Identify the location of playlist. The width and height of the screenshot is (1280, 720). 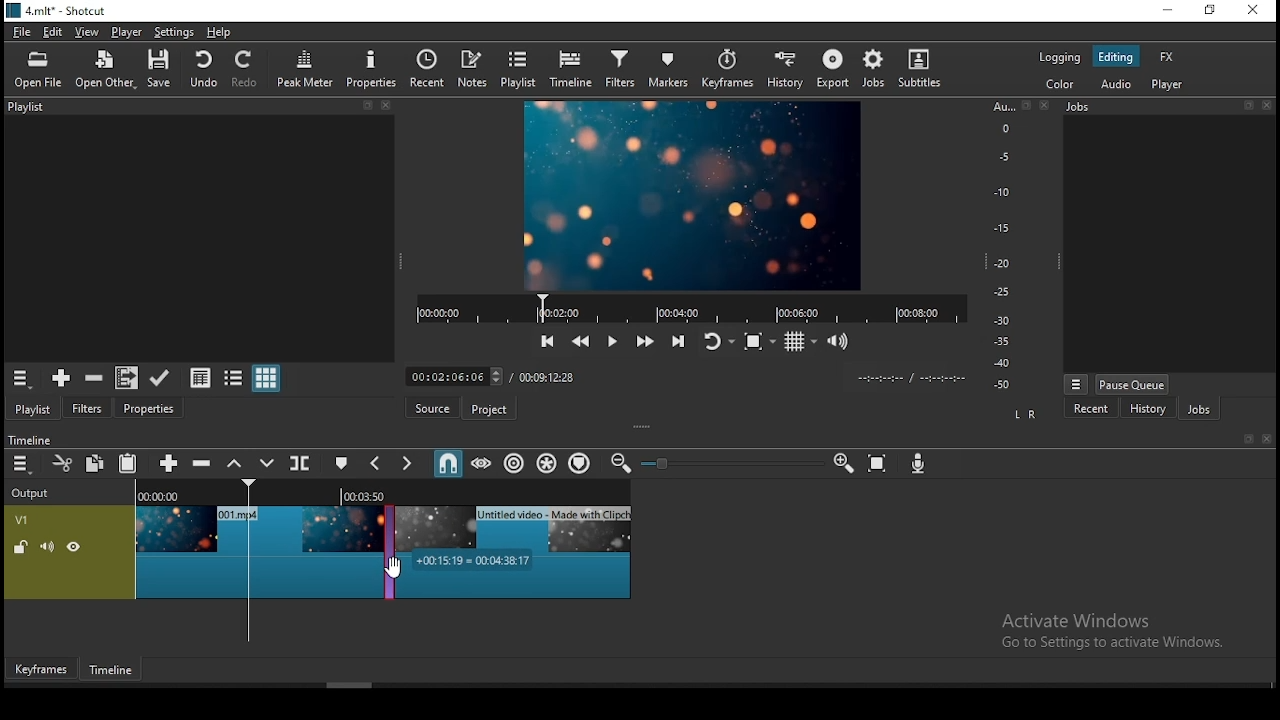
(520, 69).